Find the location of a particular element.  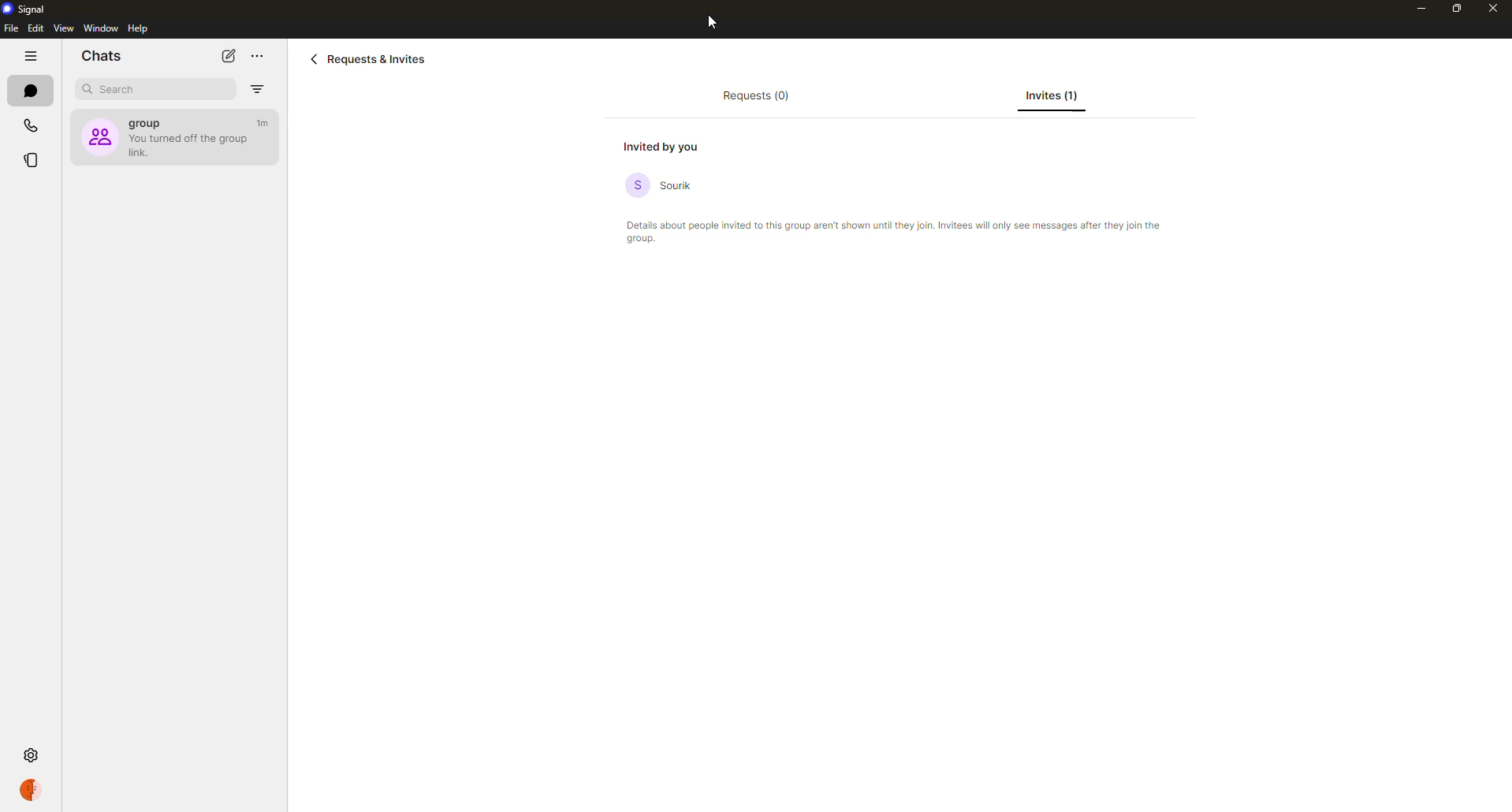

info is located at coordinates (901, 233).